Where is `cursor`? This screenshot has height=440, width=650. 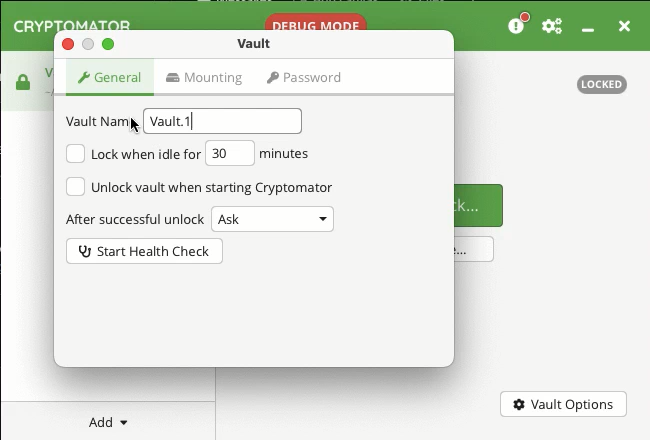
cursor is located at coordinates (135, 126).